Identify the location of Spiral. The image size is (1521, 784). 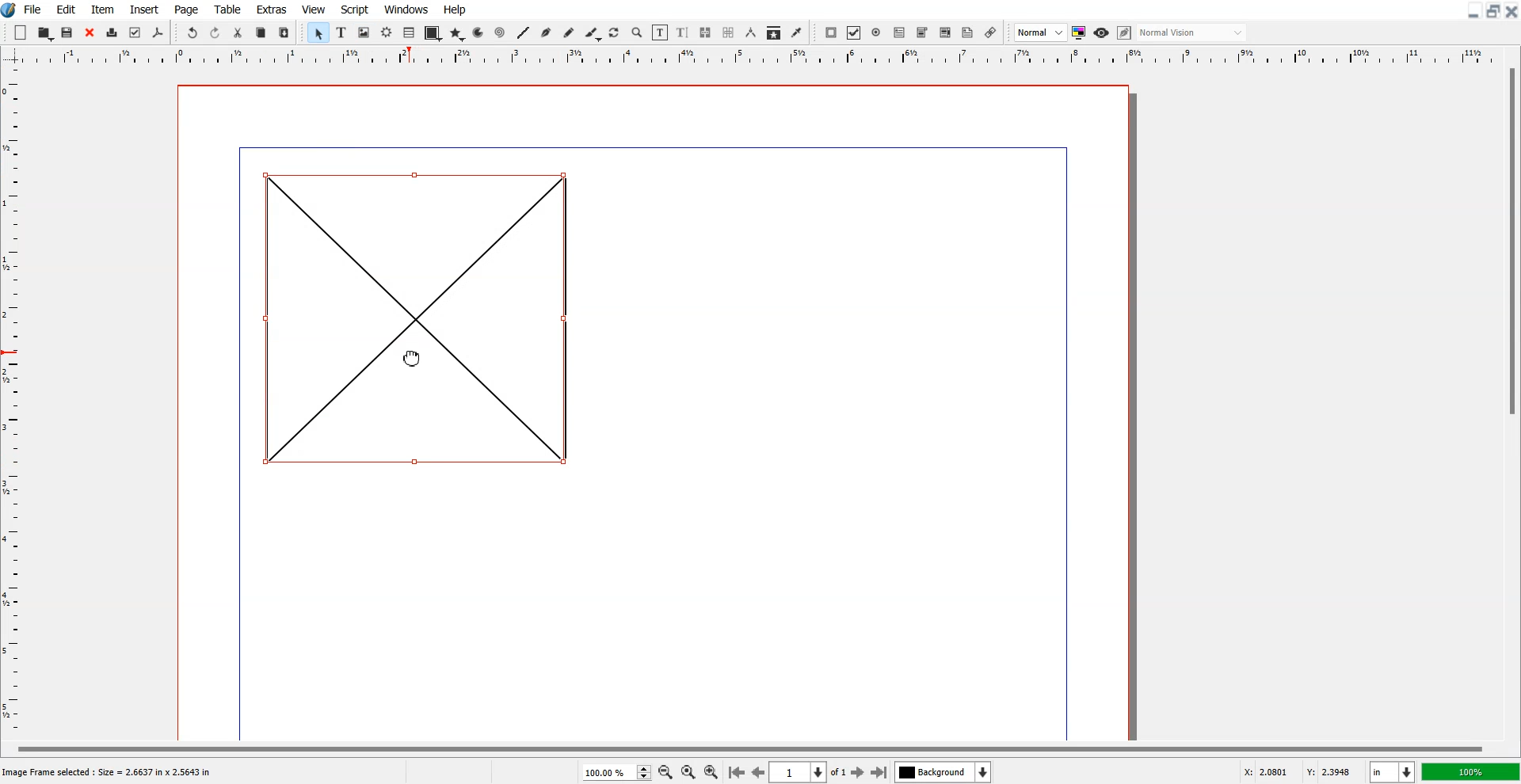
(499, 32).